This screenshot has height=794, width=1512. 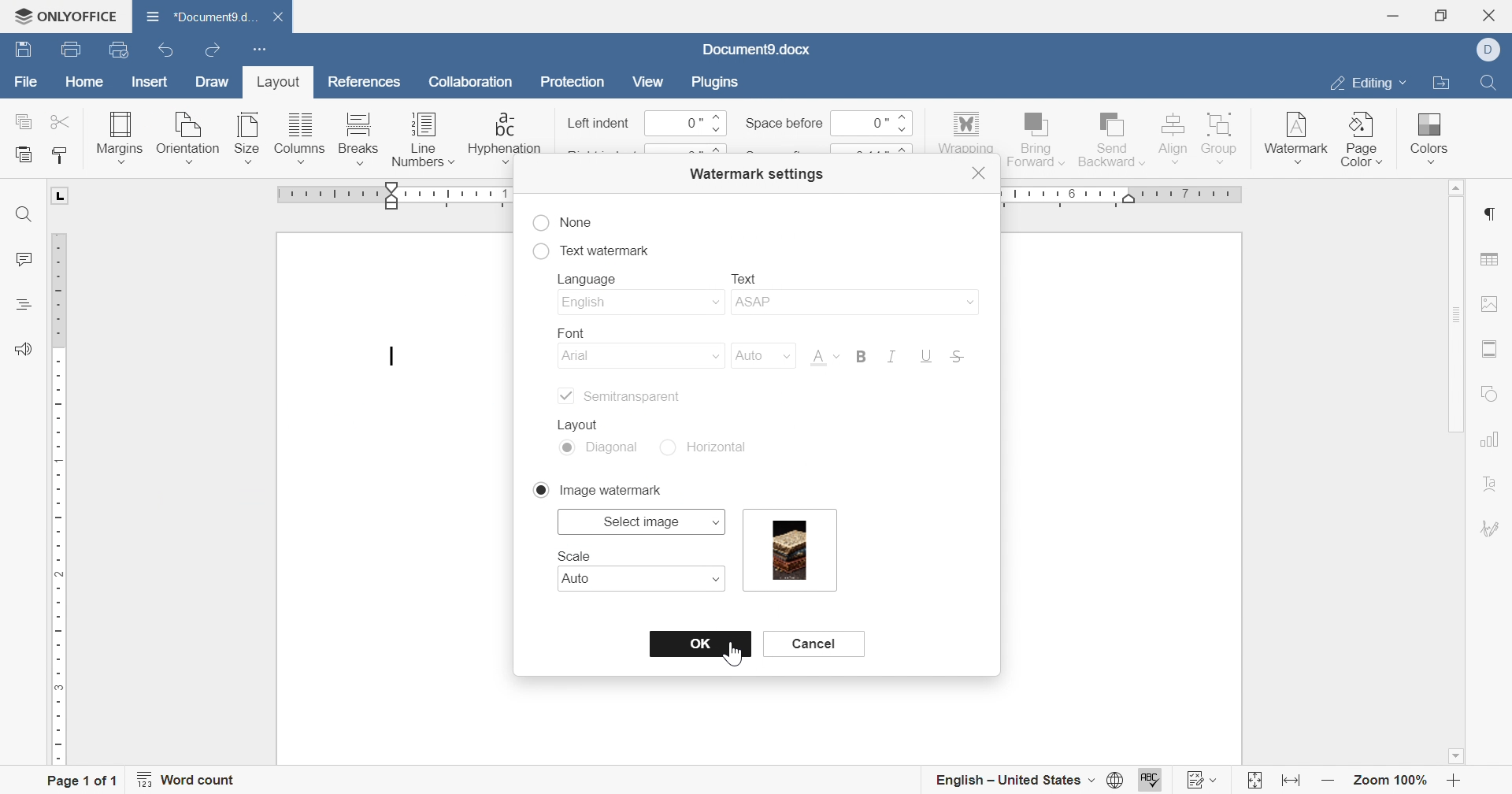 What do you see at coordinates (639, 303) in the screenshot?
I see `english` at bounding box center [639, 303].